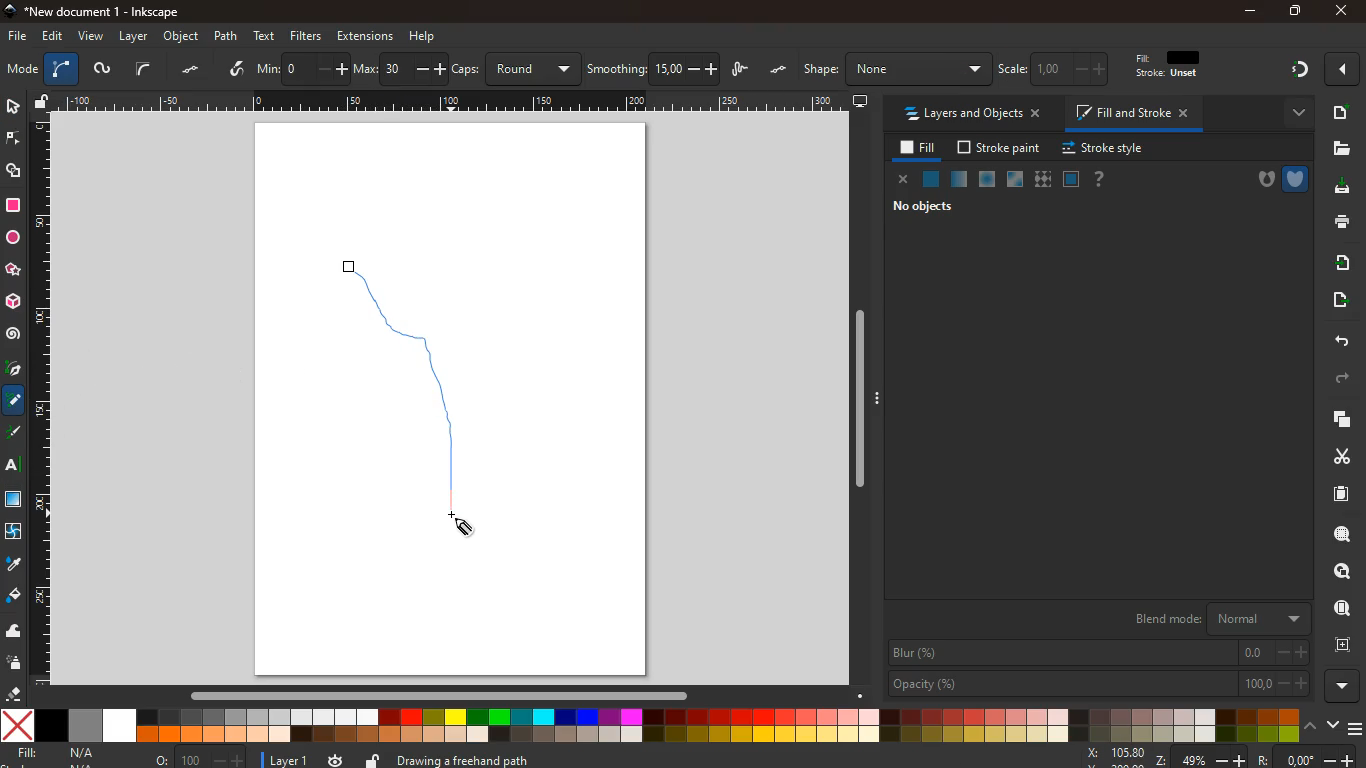  What do you see at coordinates (1339, 493) in the screenshot?
I see `paper` at bounding box center [1339, 493].